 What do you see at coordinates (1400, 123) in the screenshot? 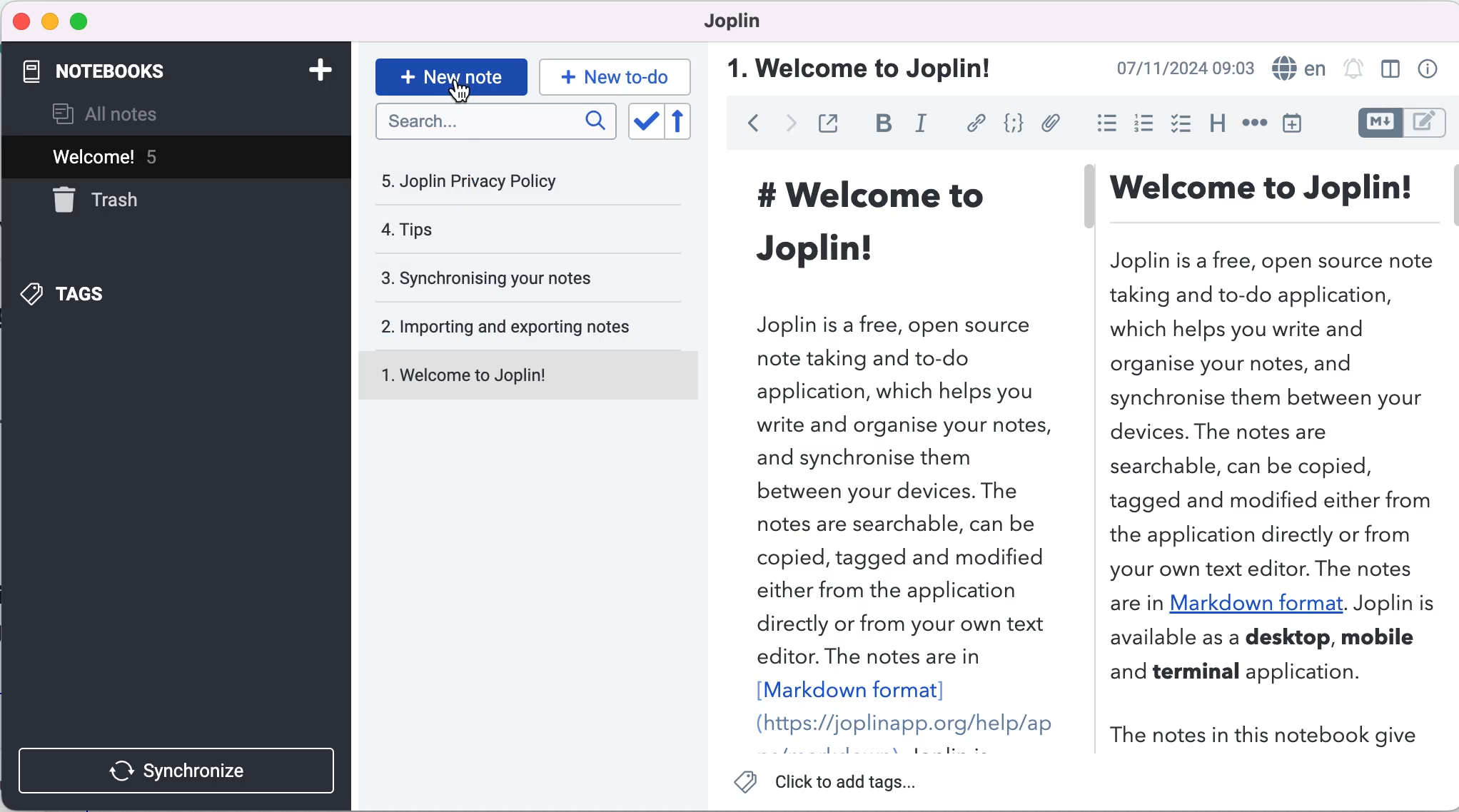
I see `toggle editors` at bounding box center [1400, 123].